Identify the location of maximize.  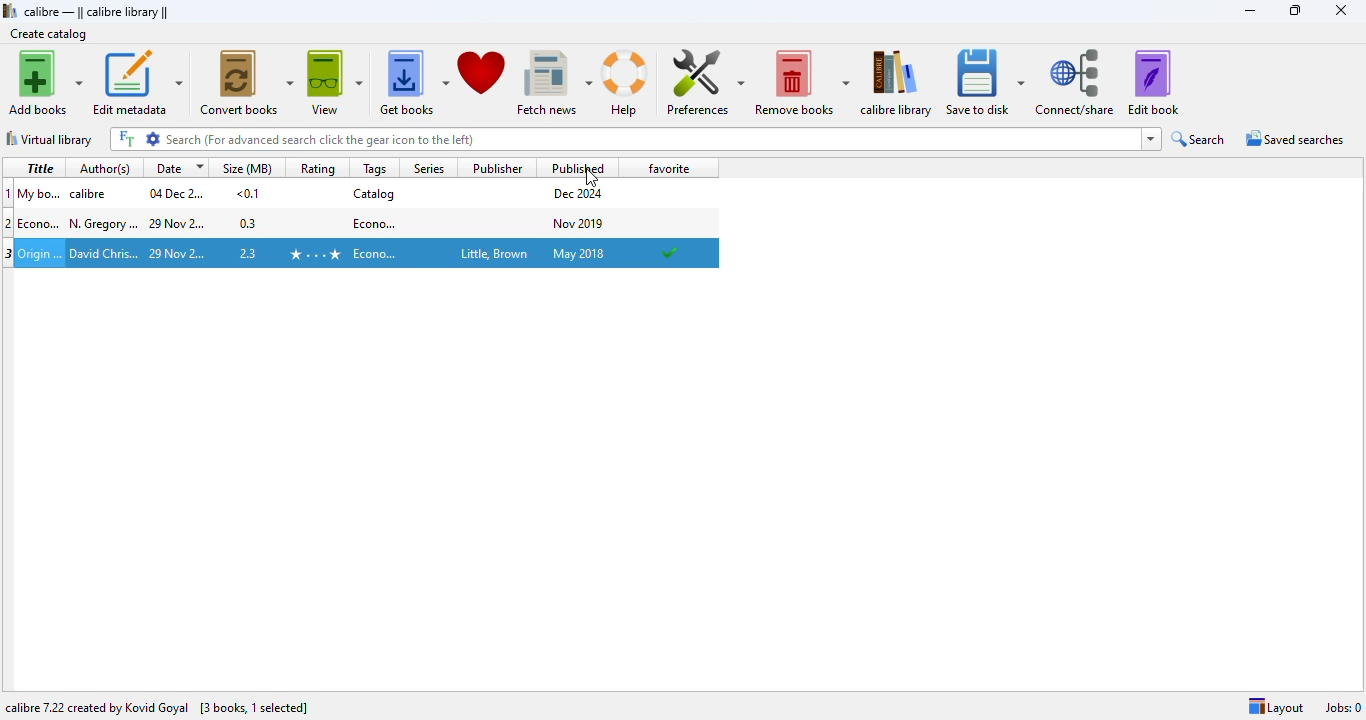
(1294, 10).